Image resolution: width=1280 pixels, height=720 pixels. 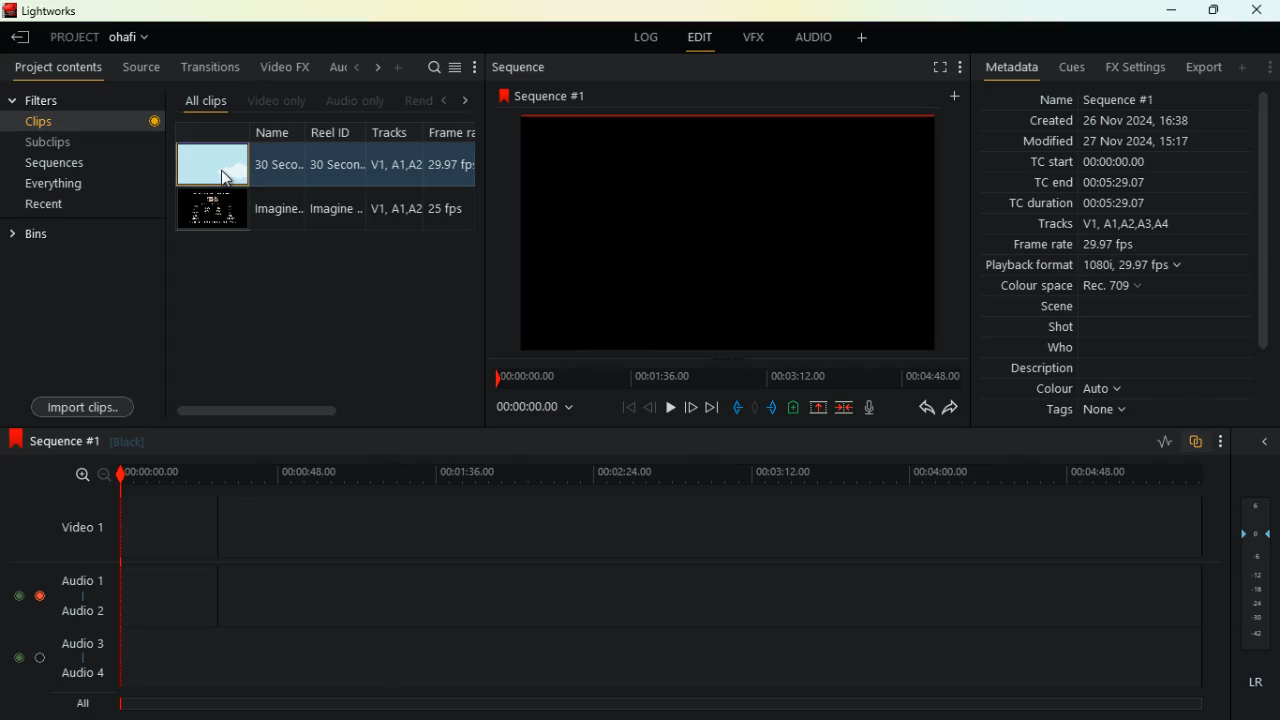 I want to click on zoom, so click(x=82, y=474).